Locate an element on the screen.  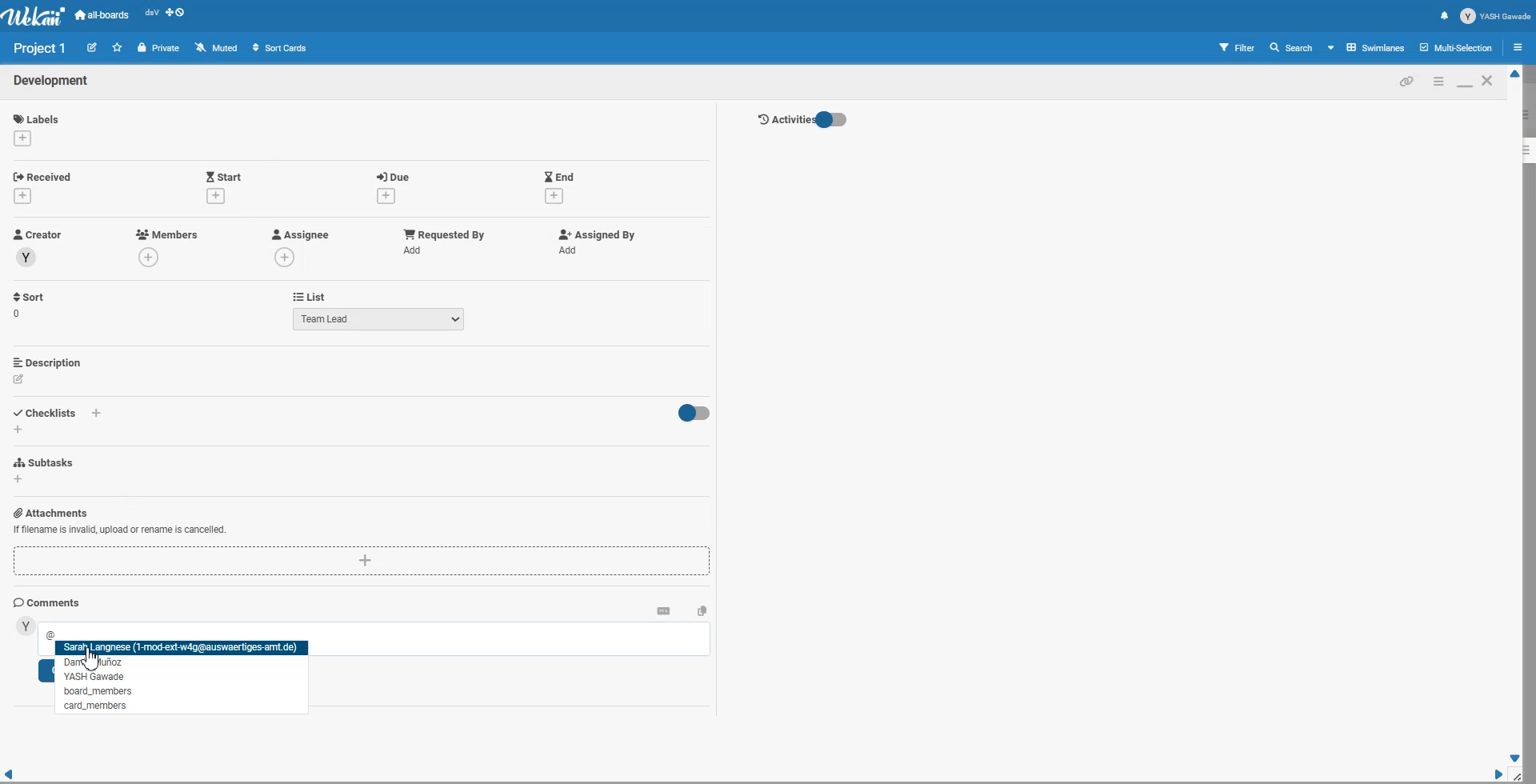
add is located at coordinates (18, 429).